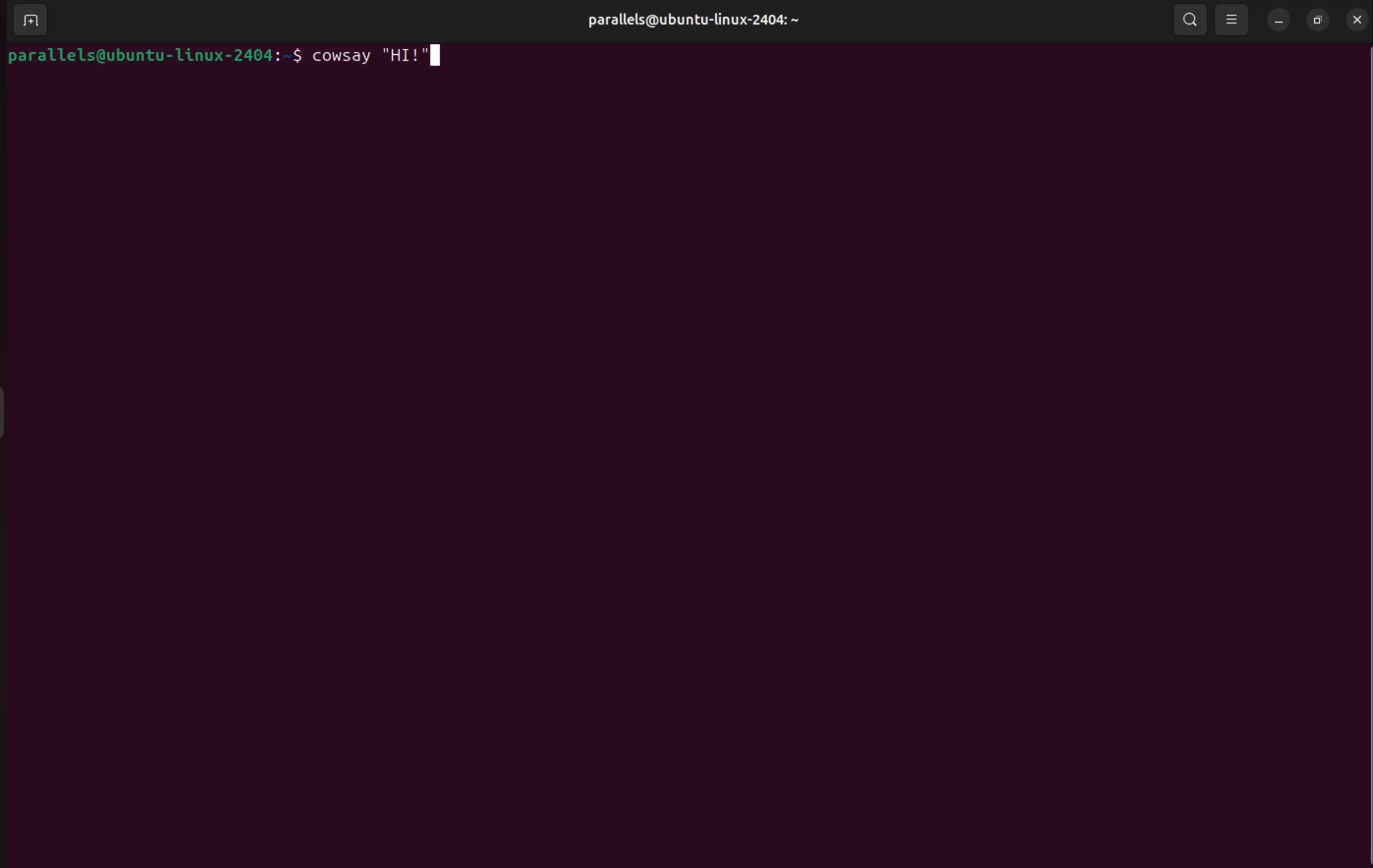 The image size is (1373, 868). I want to click on add terminal, so click(31, 20).